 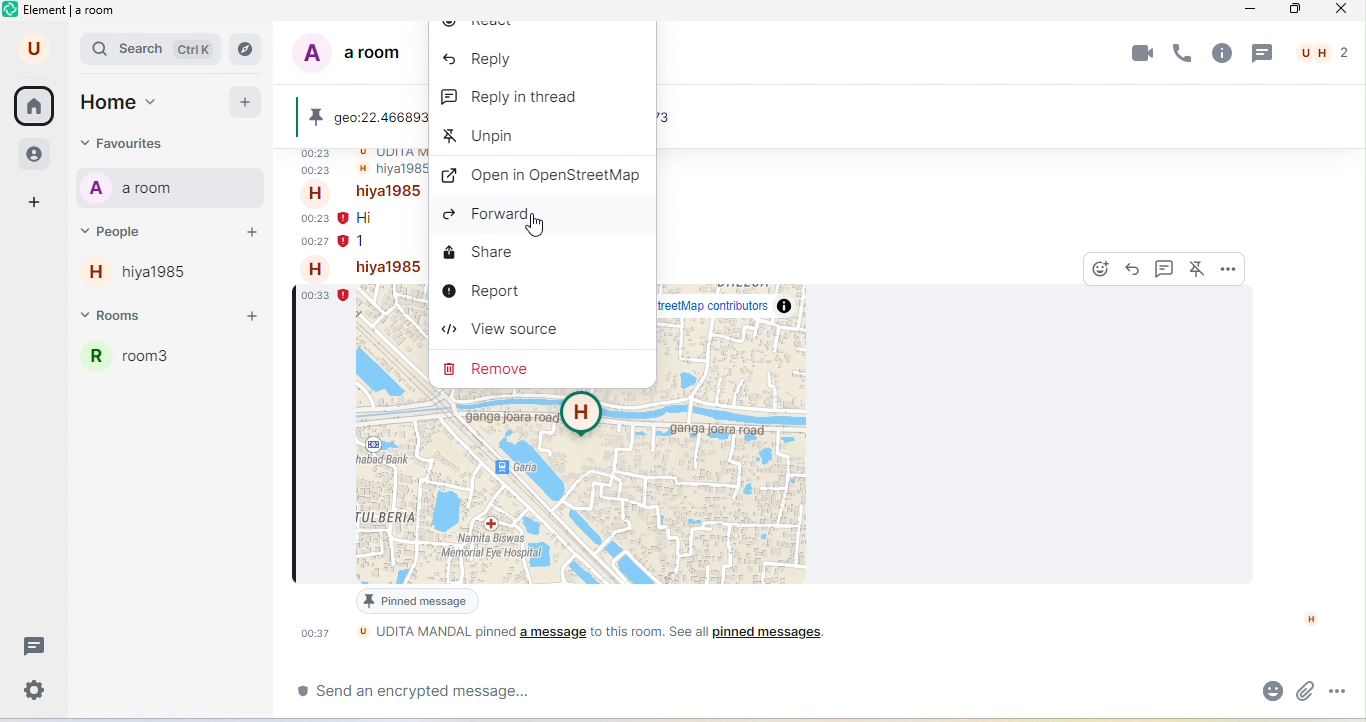 I want to click on favourites, so click(x=155, y=143).